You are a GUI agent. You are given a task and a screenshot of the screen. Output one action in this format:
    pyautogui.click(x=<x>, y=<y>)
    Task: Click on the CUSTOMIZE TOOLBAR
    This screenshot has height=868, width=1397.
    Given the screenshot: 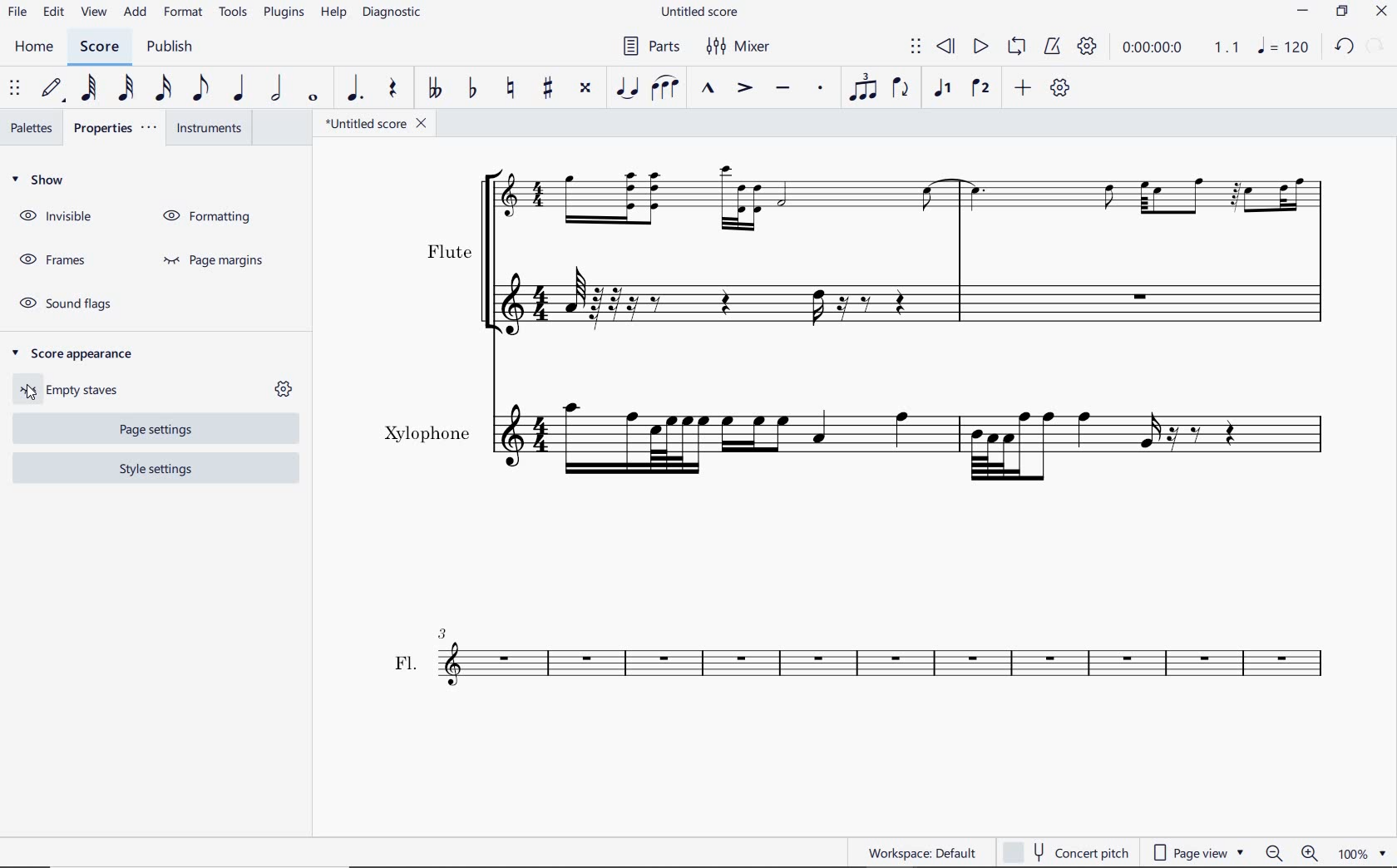 What is the action you would take?
    pyautogui.click(x=1059, y=86)
    